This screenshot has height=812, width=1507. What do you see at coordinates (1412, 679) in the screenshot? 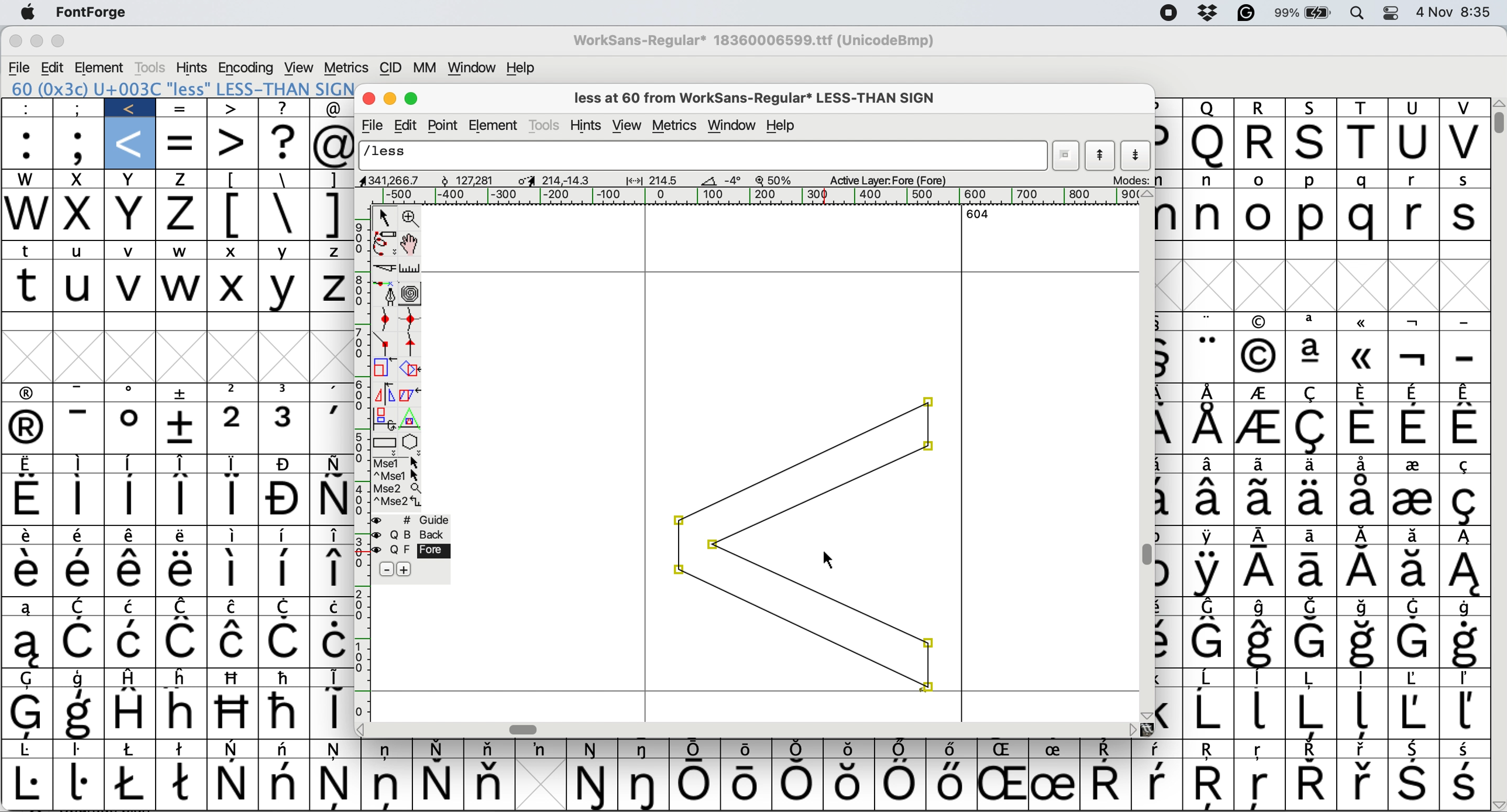
I see `Symbol` at bounding box center [1412, 679].